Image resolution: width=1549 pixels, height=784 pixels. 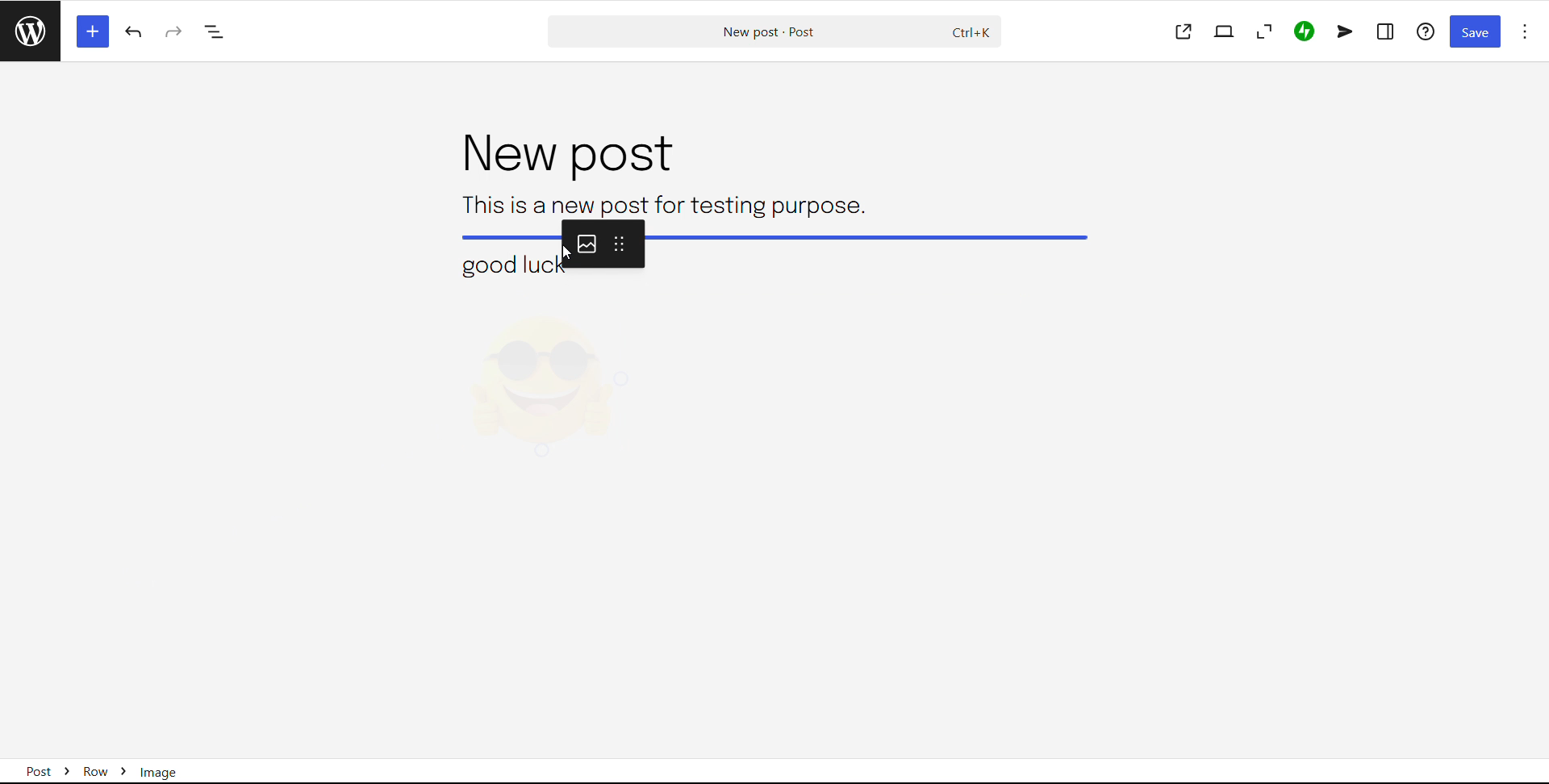 I want to click on help, so click(x=1427, y=31).